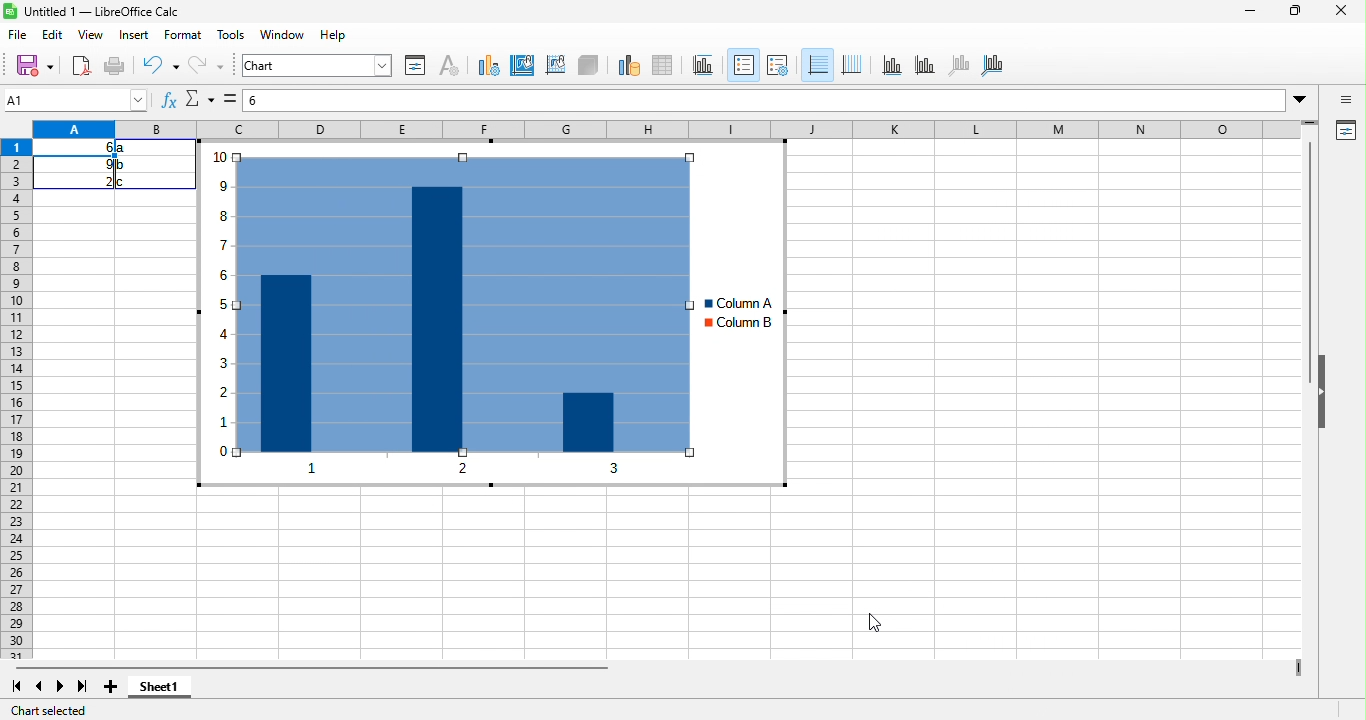 This screenshot has height=720, width=1366. Describe the element at coordinates (55, 37) in the screenshot. I see `edit` at that location.